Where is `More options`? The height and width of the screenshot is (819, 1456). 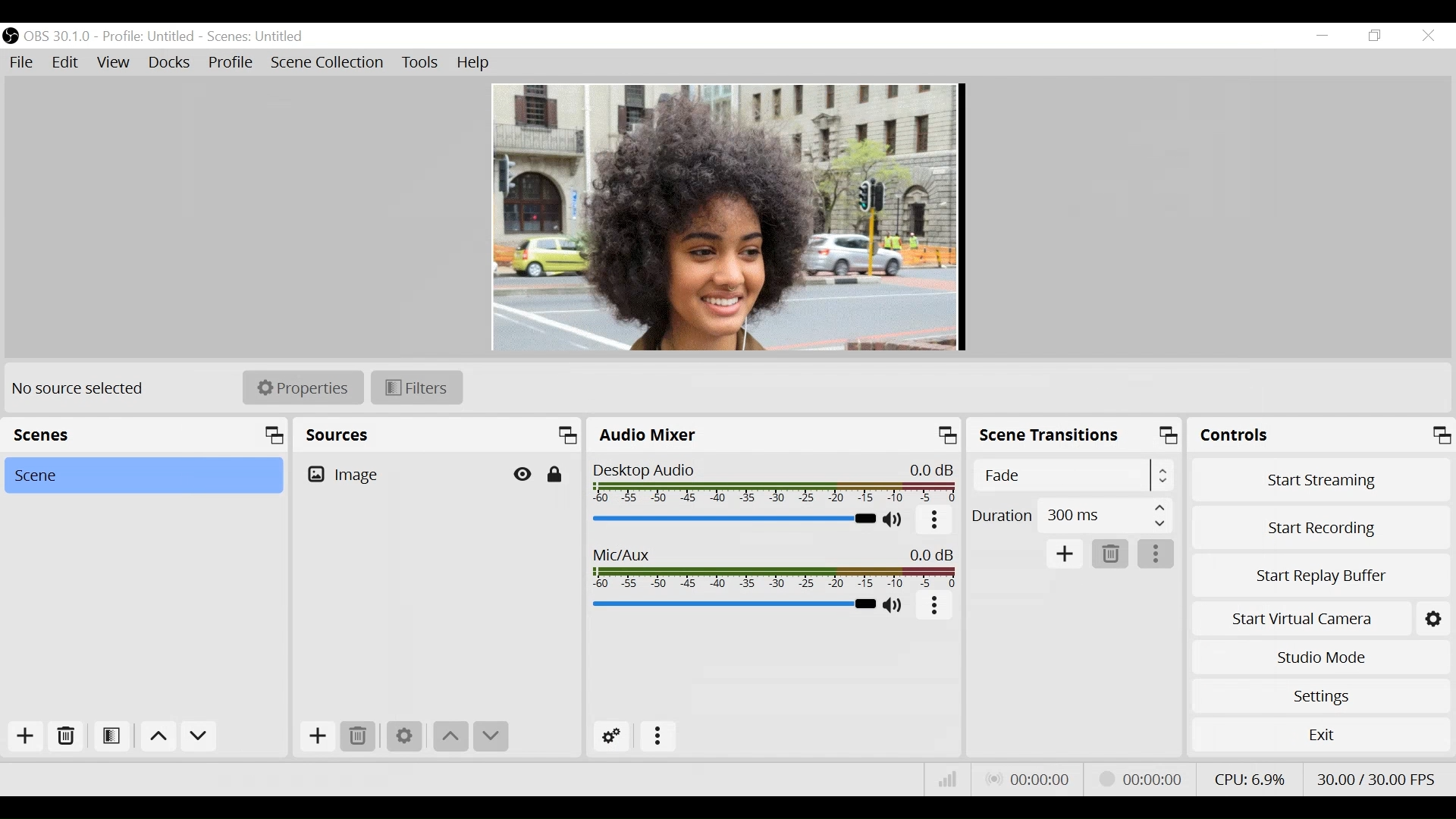
More options is located at coordinates (654, 738).